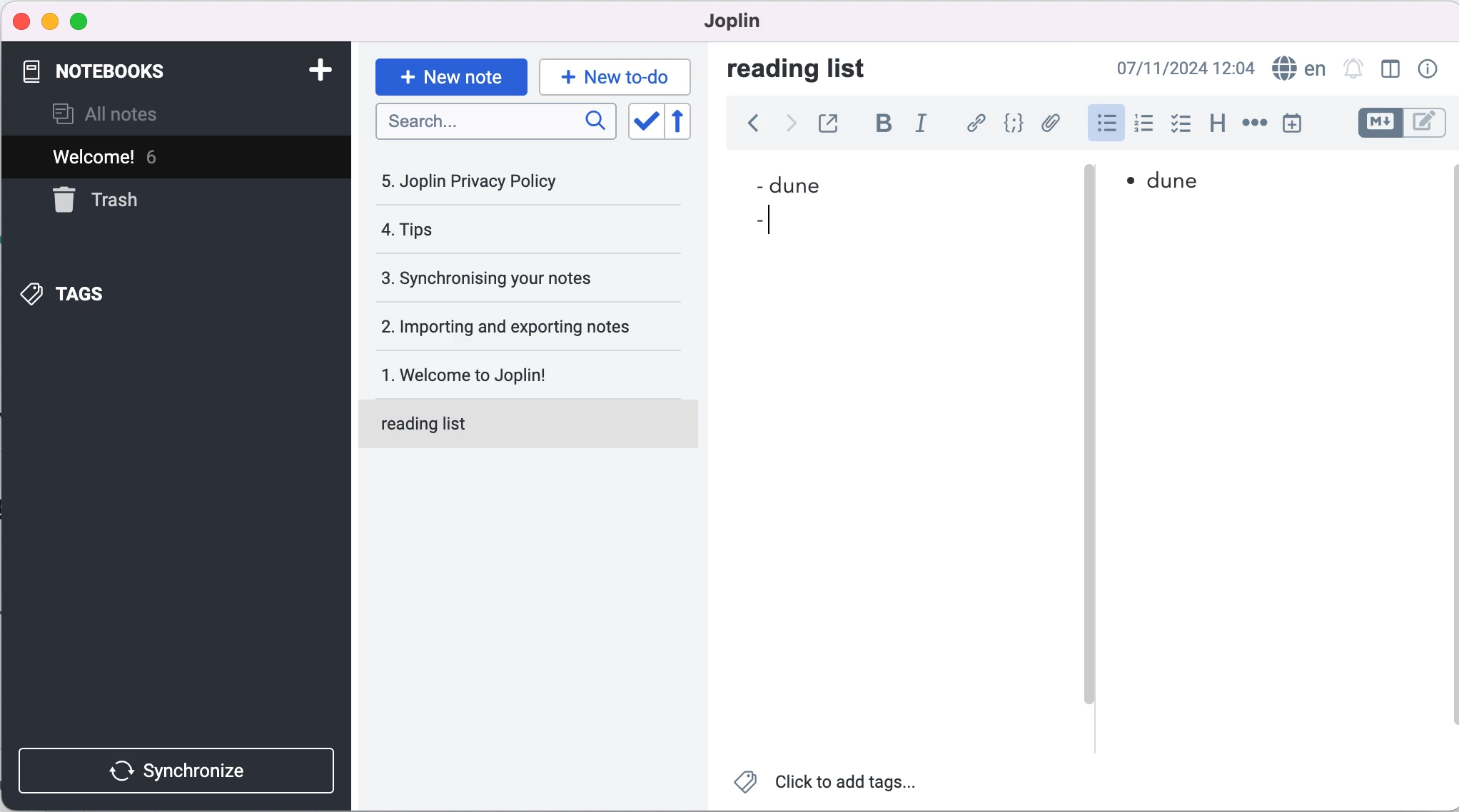 The height and width of the screenshot is (812, 1459). I want to click on search, so click(495, 121).